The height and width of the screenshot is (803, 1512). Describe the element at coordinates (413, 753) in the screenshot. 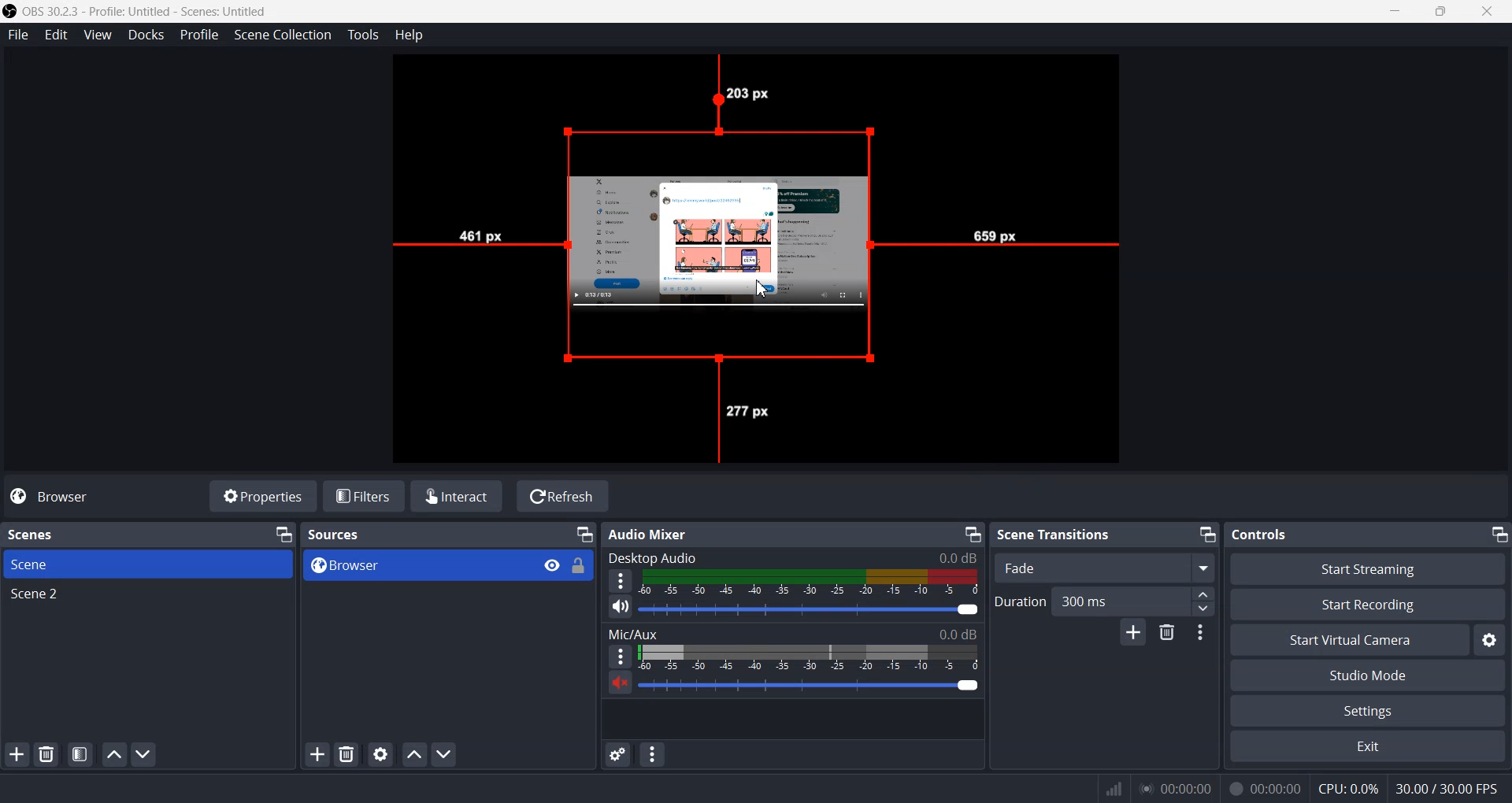

I see `Move sources up` at that location.